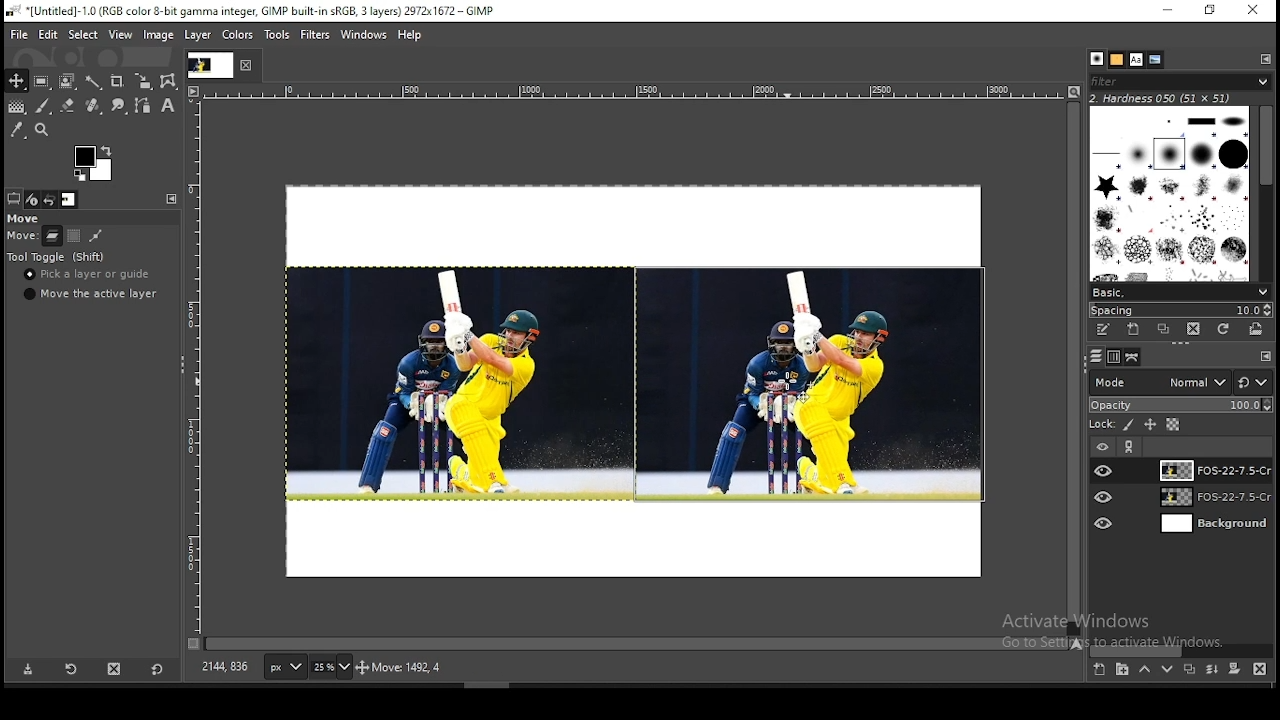 The width and height of the screenshot is (1280, 720). I want to click on move channels, so click(73, 236).